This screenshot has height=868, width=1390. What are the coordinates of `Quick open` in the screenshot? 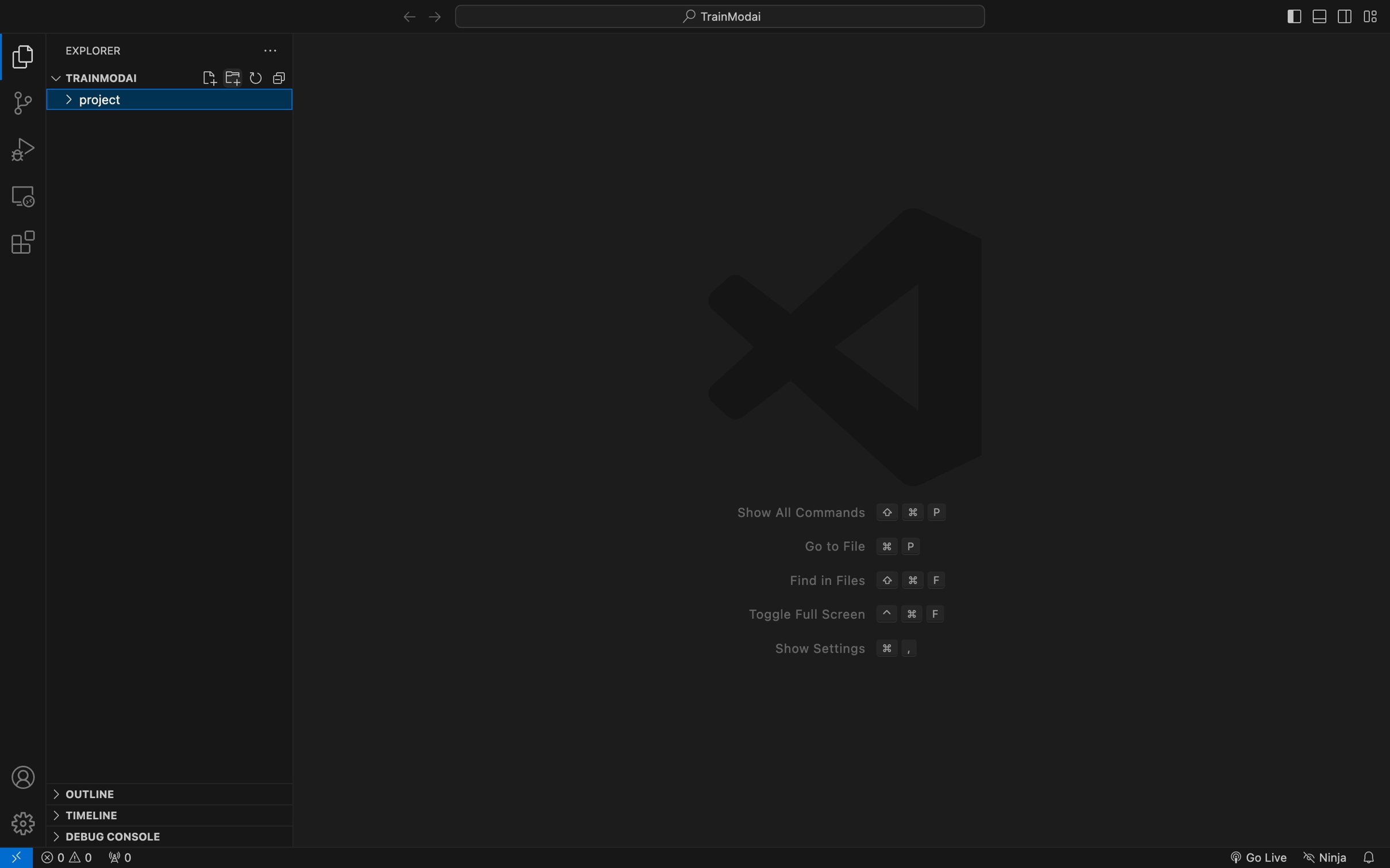 It's located at (723, 17).